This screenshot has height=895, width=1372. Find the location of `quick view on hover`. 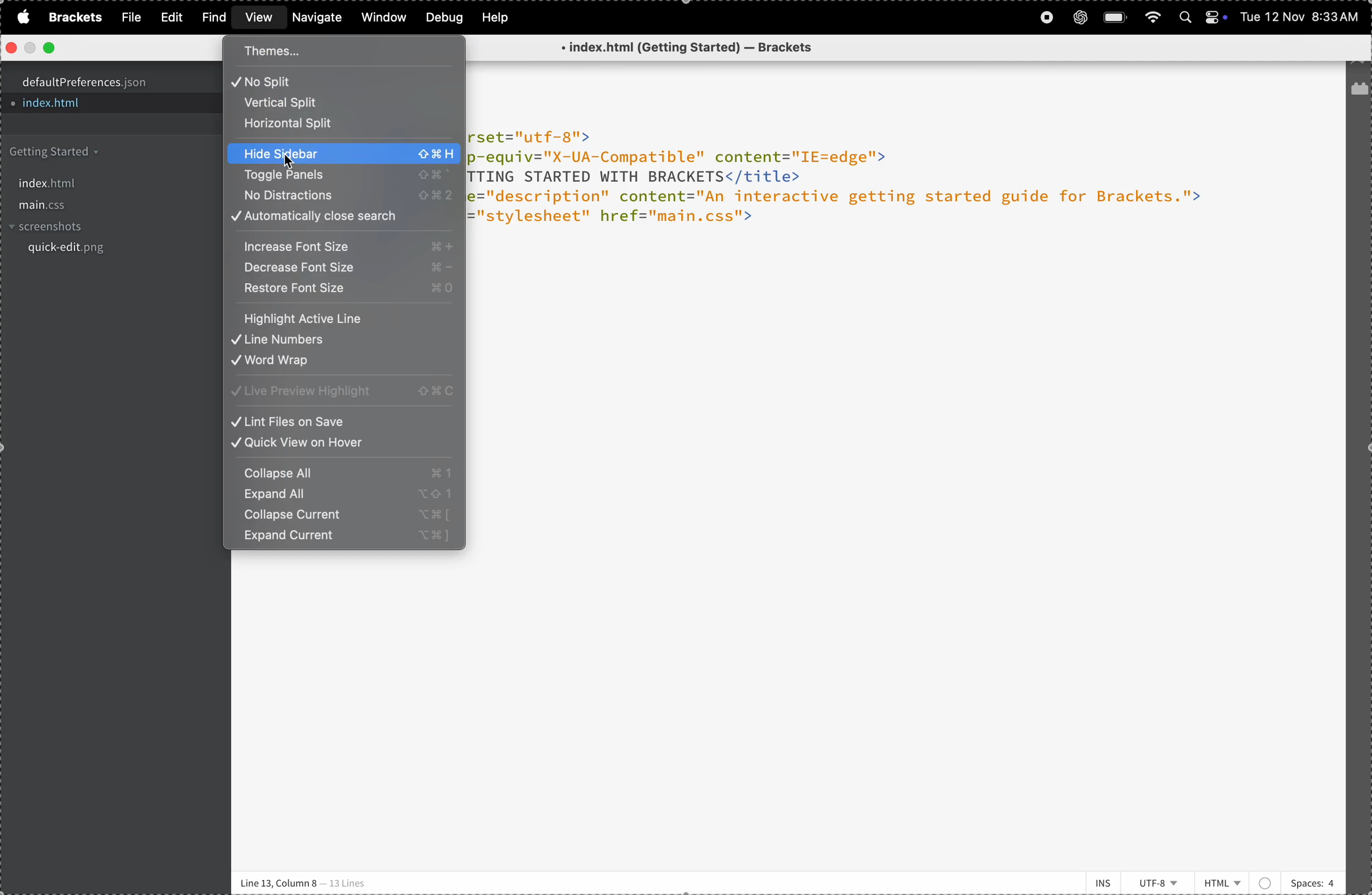

quick view on hover is located at coordinates (344, 446).